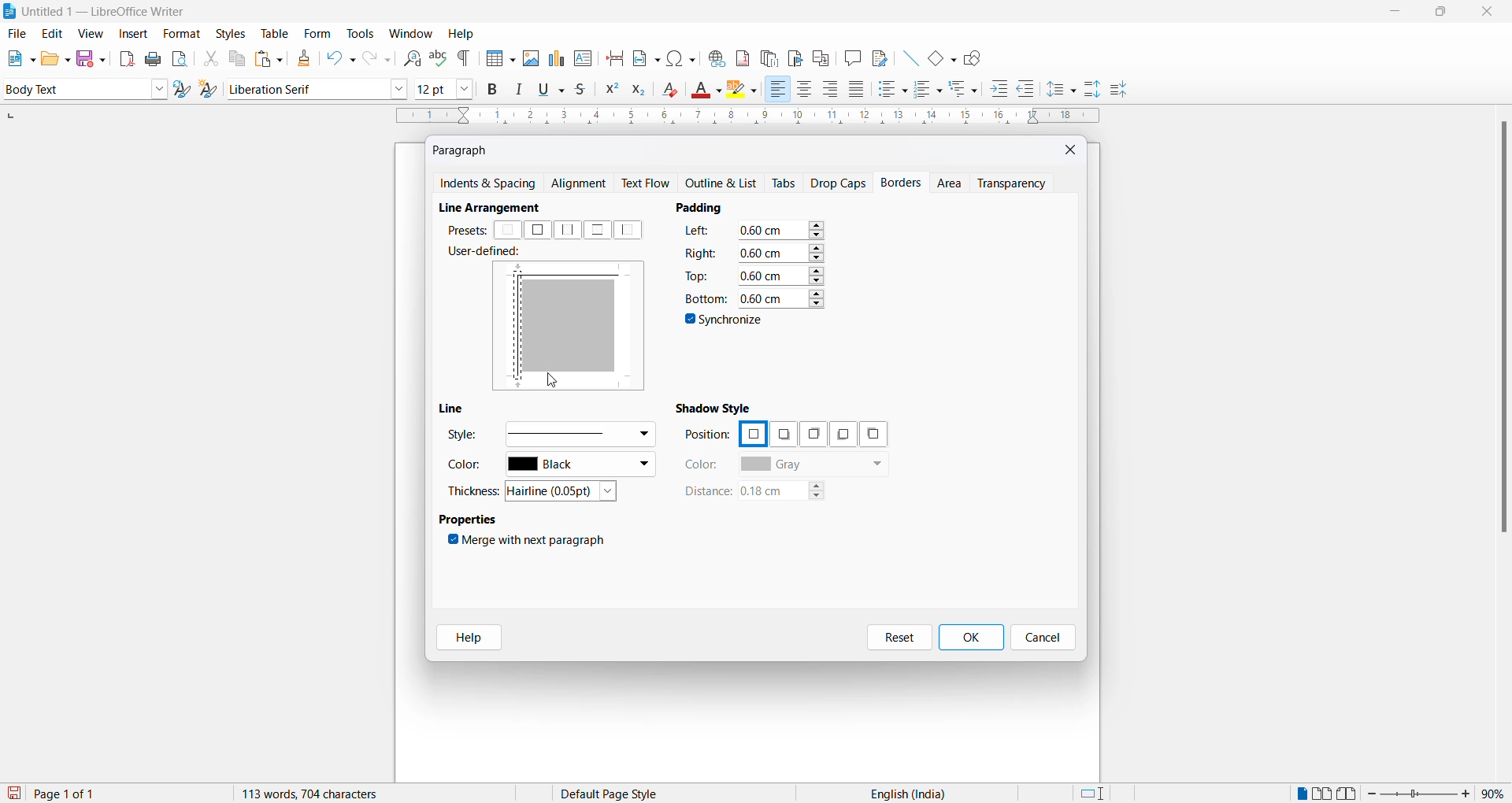  What do you see at coordinates (461, 34) in the screenshot?
I see `help` at bounding box center [461, 34].